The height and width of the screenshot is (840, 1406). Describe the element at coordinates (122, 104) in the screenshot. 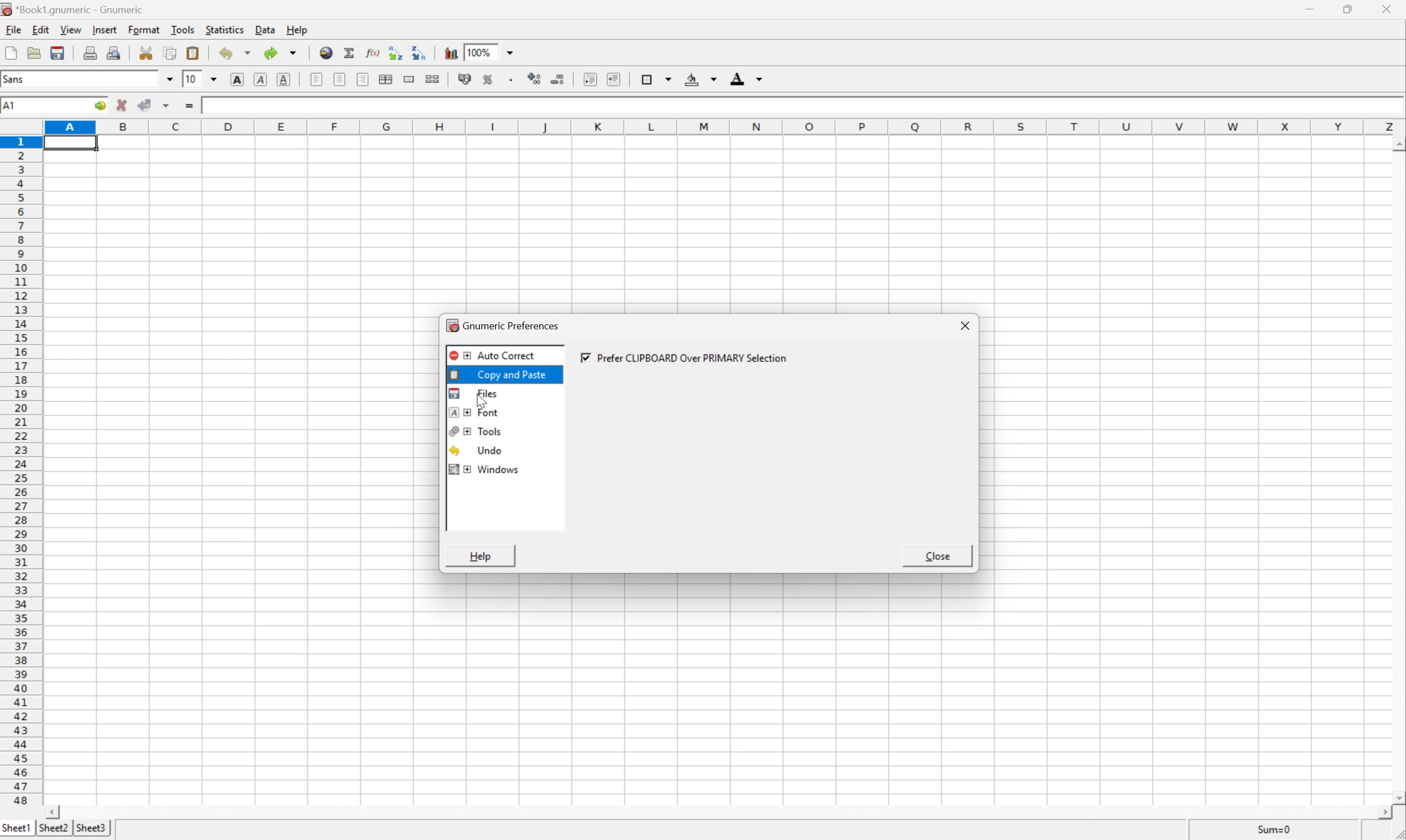

I see `cancel selection` at that location.